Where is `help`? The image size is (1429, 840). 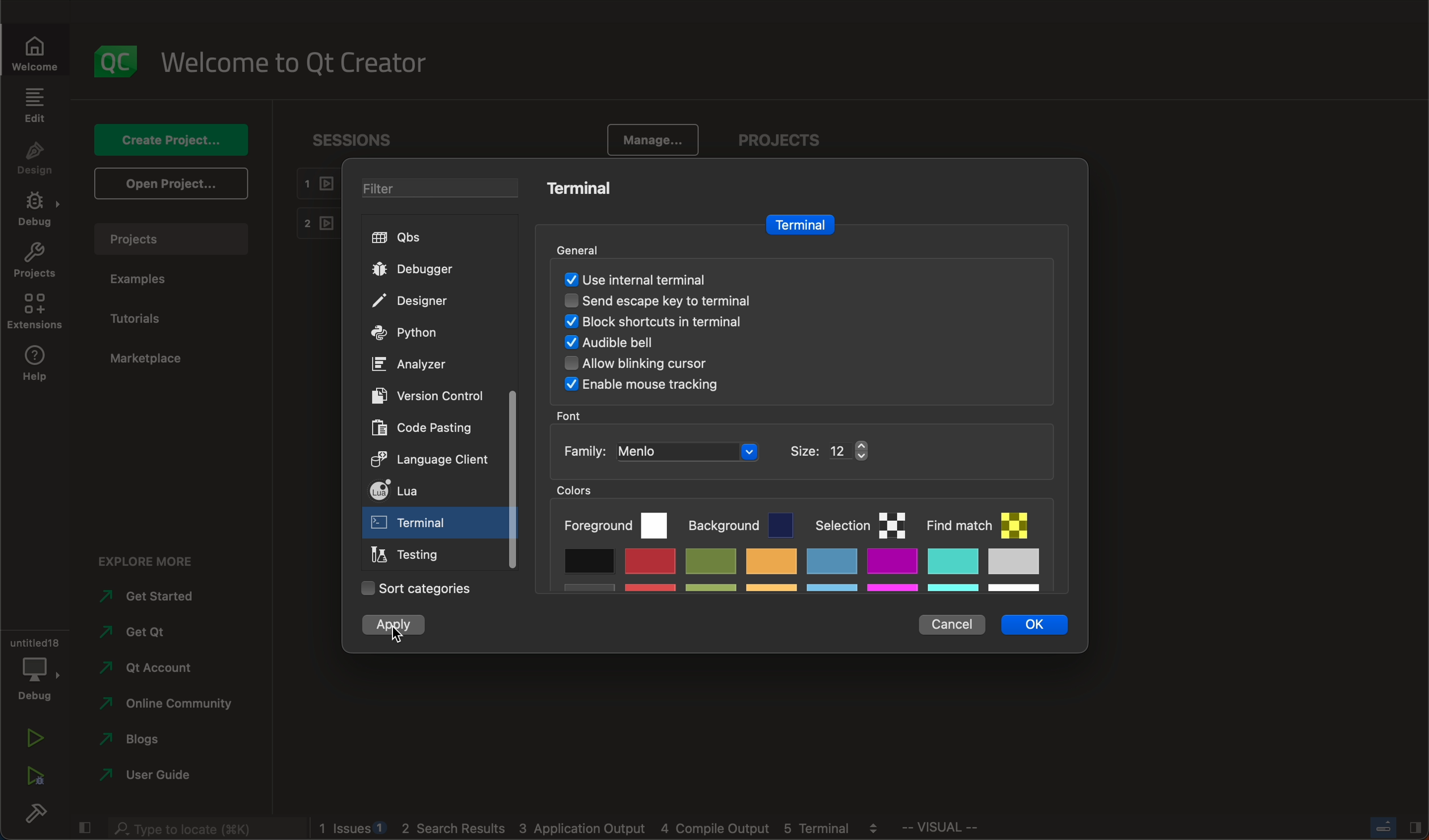
help is located at coordinates (35, 365).